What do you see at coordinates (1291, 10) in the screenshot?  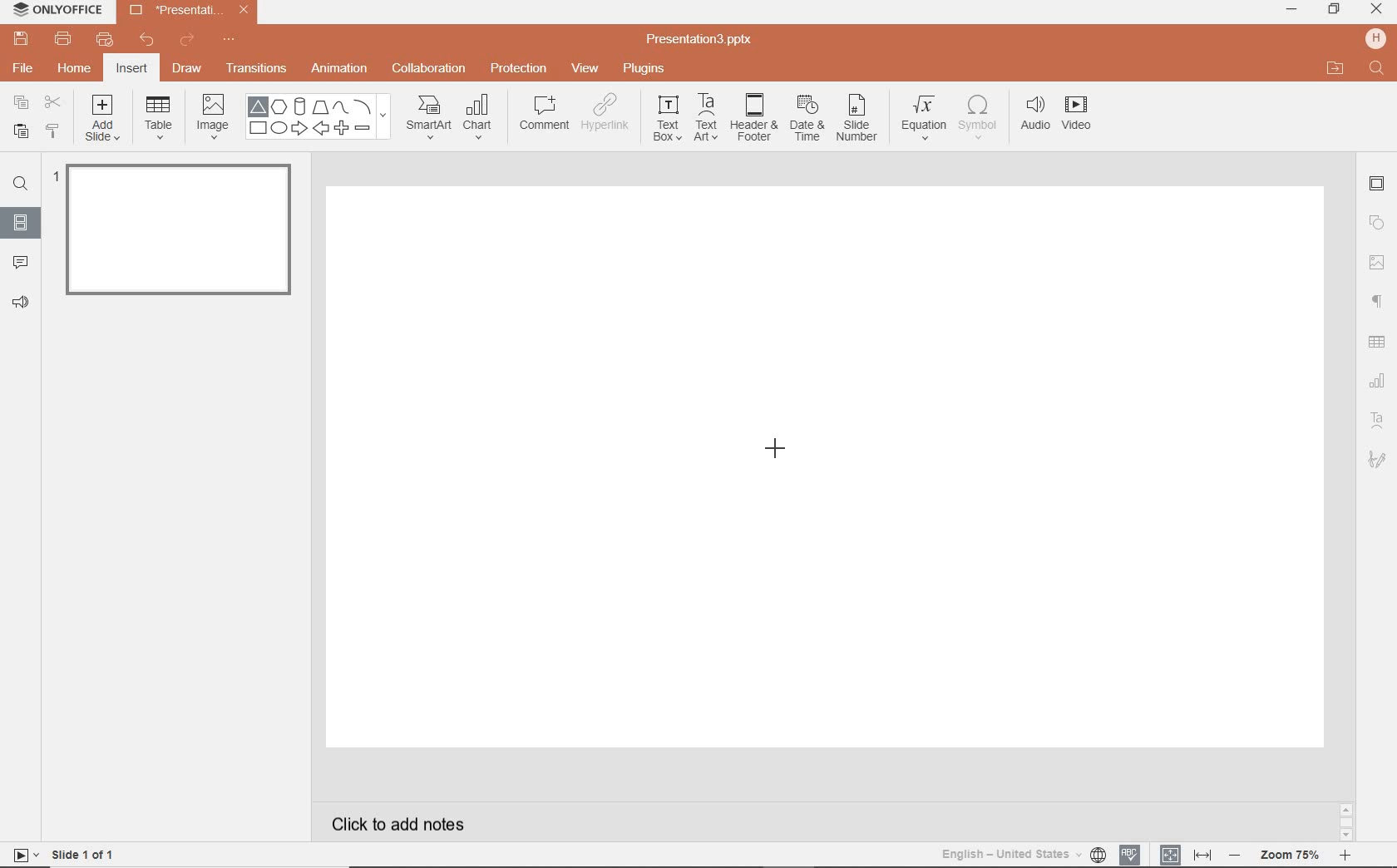 I see `MINIMIZE` at bounding box center [1291, 10].